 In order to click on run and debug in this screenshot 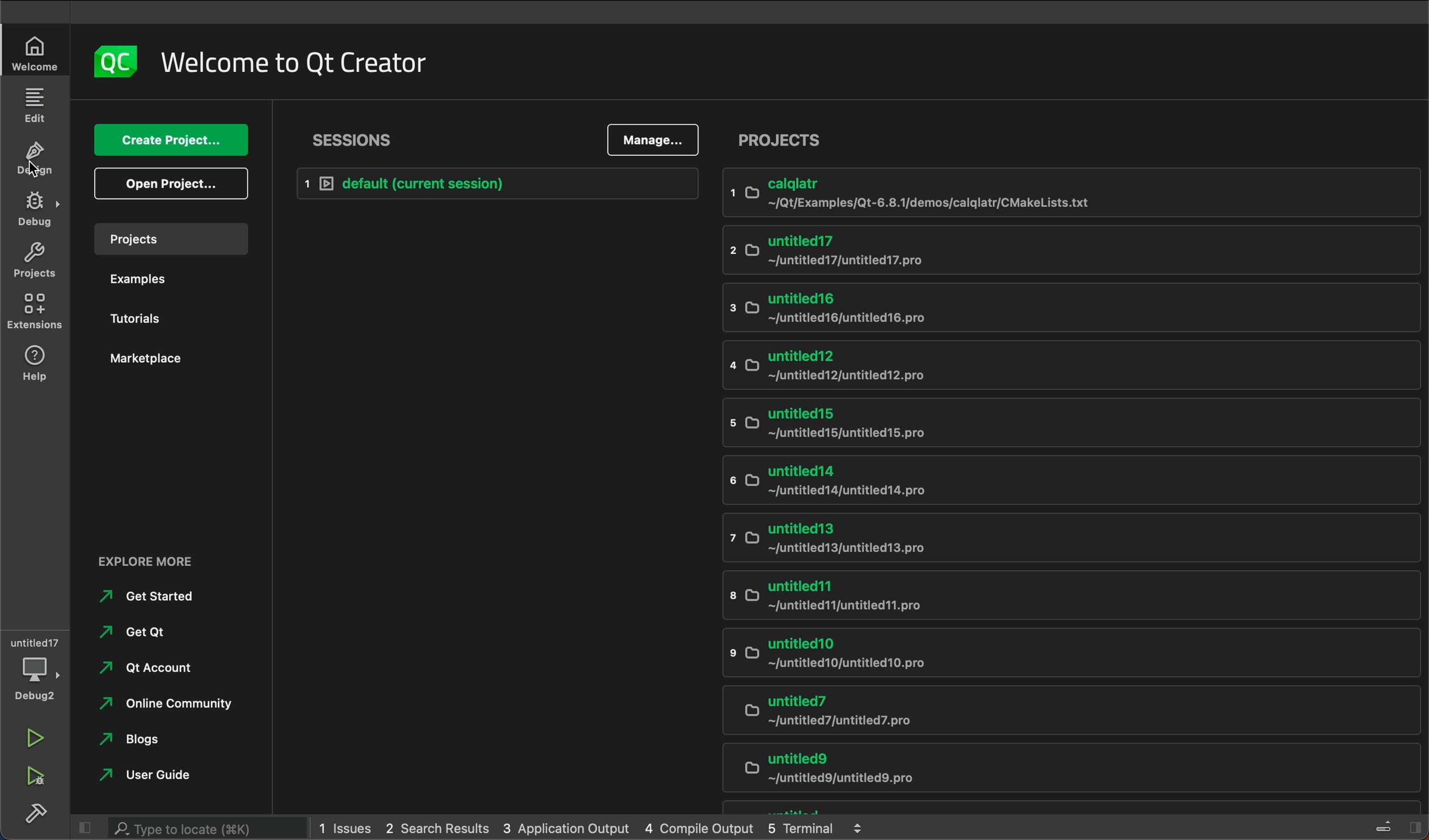, I will do `click(34, 776)`.